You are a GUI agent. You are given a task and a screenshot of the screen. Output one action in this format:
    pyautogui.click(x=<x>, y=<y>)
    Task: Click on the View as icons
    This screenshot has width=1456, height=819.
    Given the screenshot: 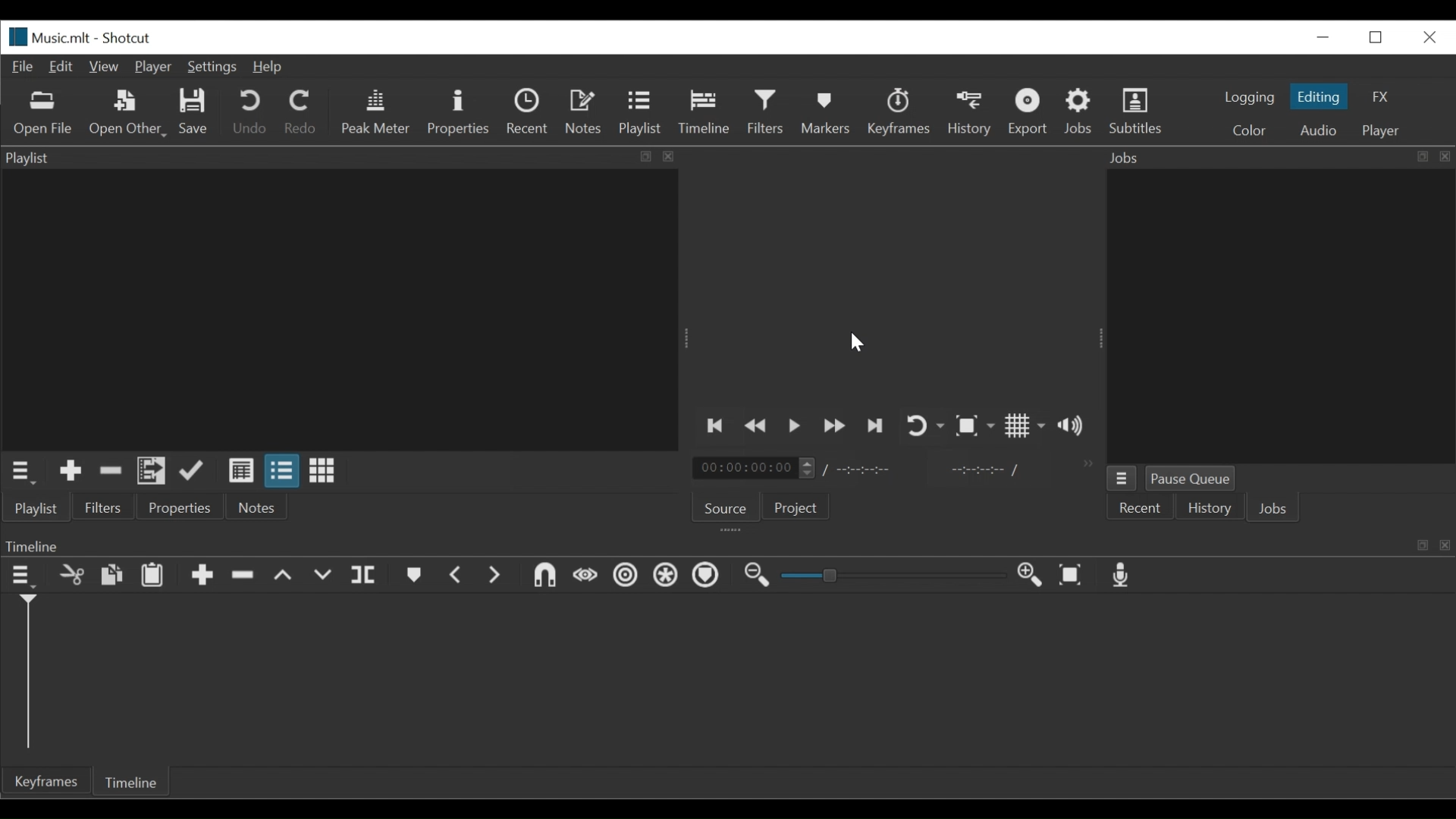 What is the action you would take?
    pyautogui.click(x=325, y=472)
    